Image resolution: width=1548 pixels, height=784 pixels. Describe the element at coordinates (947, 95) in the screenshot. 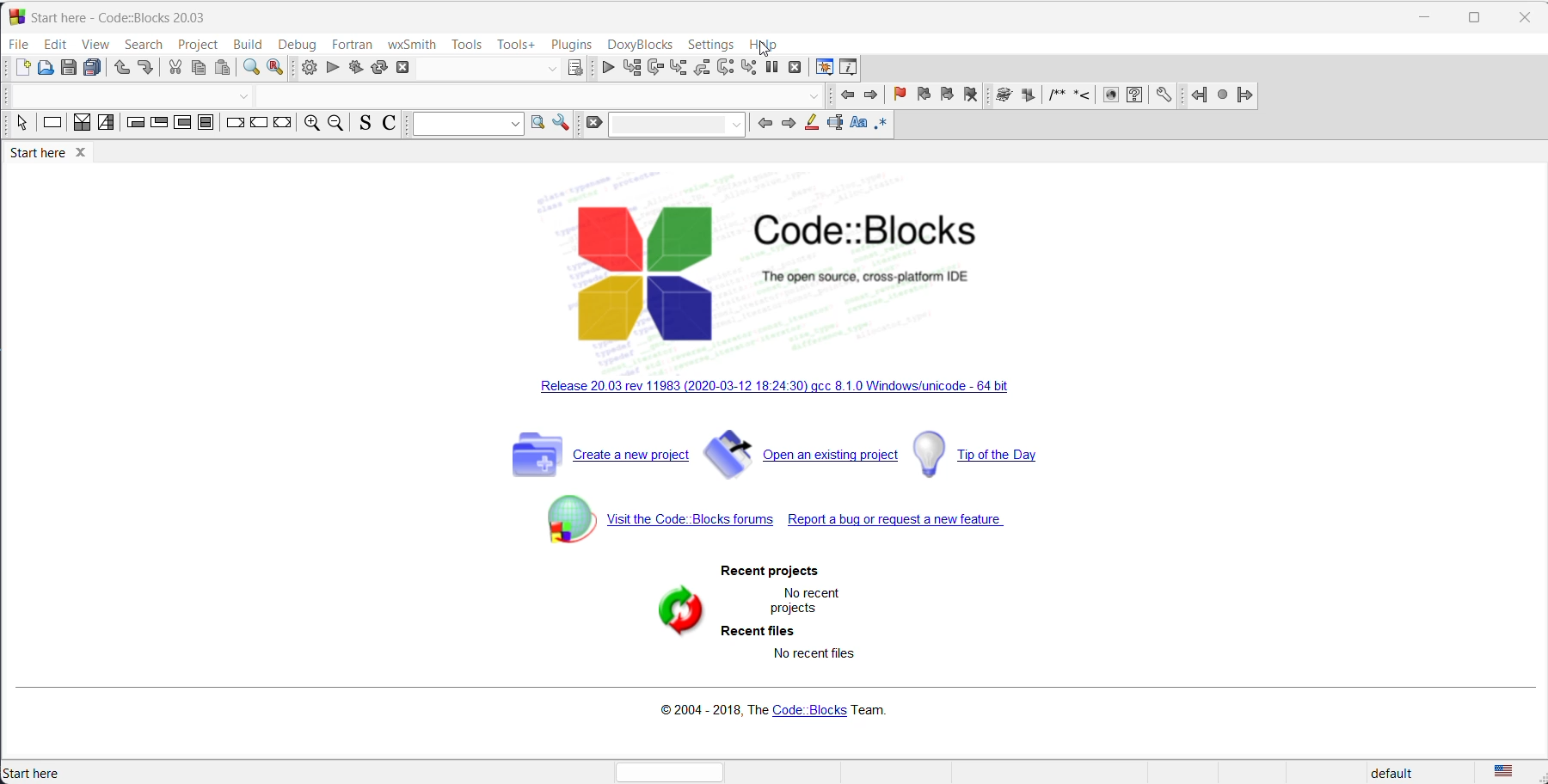

I see `next bookmark` at that location.